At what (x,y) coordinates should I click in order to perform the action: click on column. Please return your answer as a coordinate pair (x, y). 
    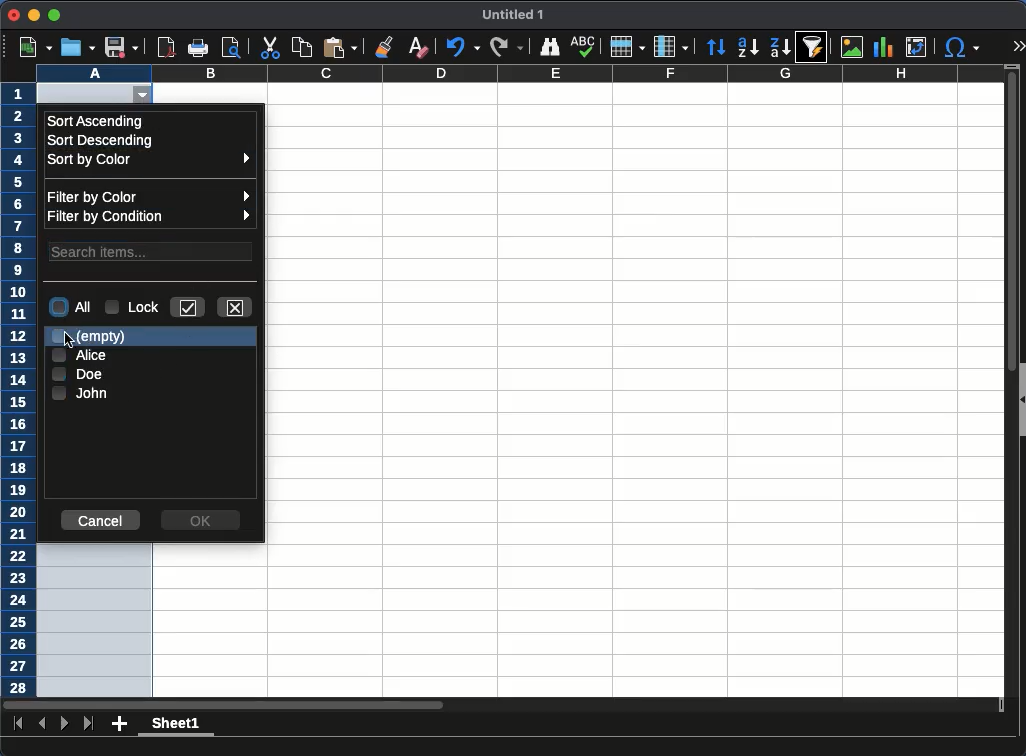
    Looking at the image, I should click on (519, 73).